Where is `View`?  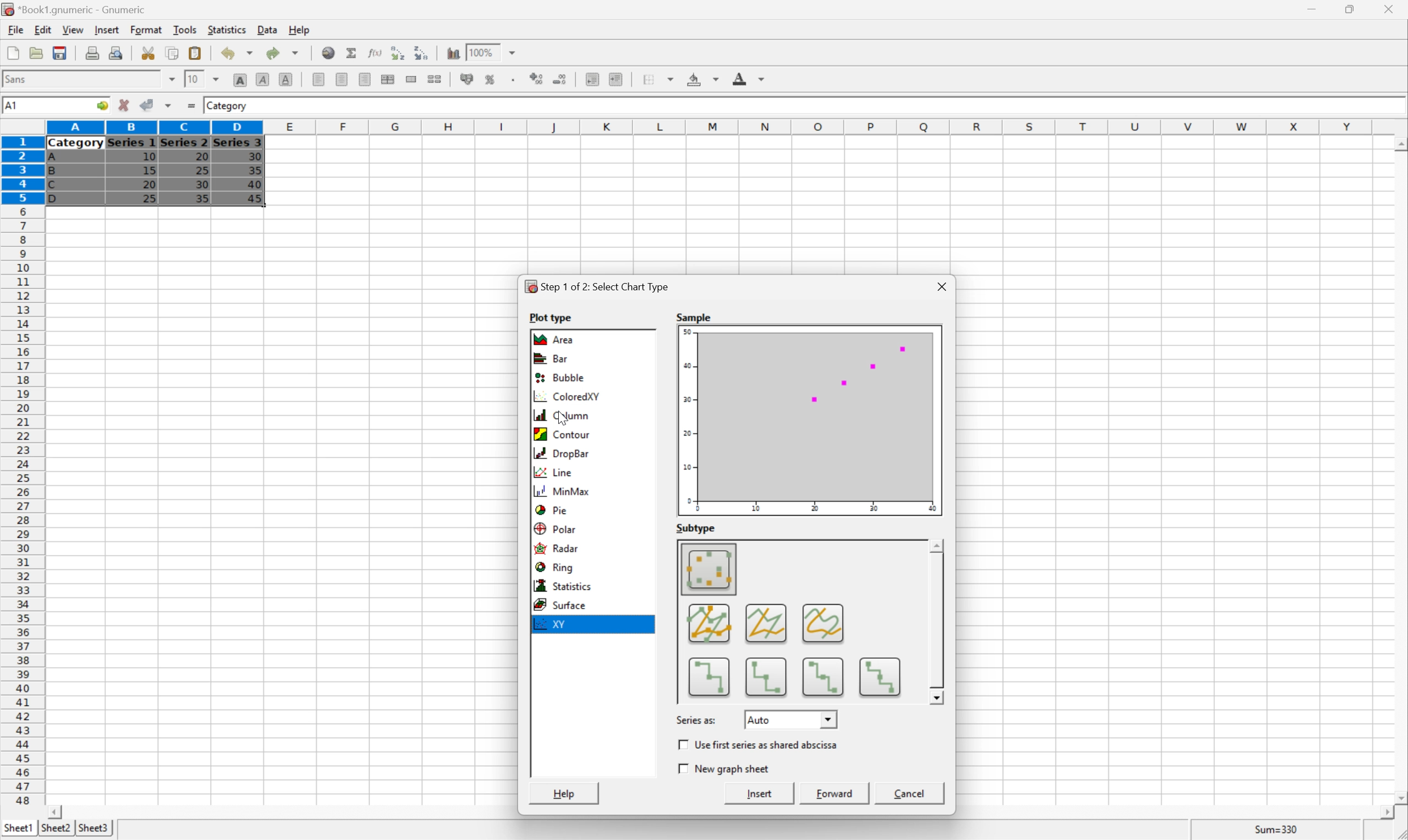 View is located at coordinates (73, 29).